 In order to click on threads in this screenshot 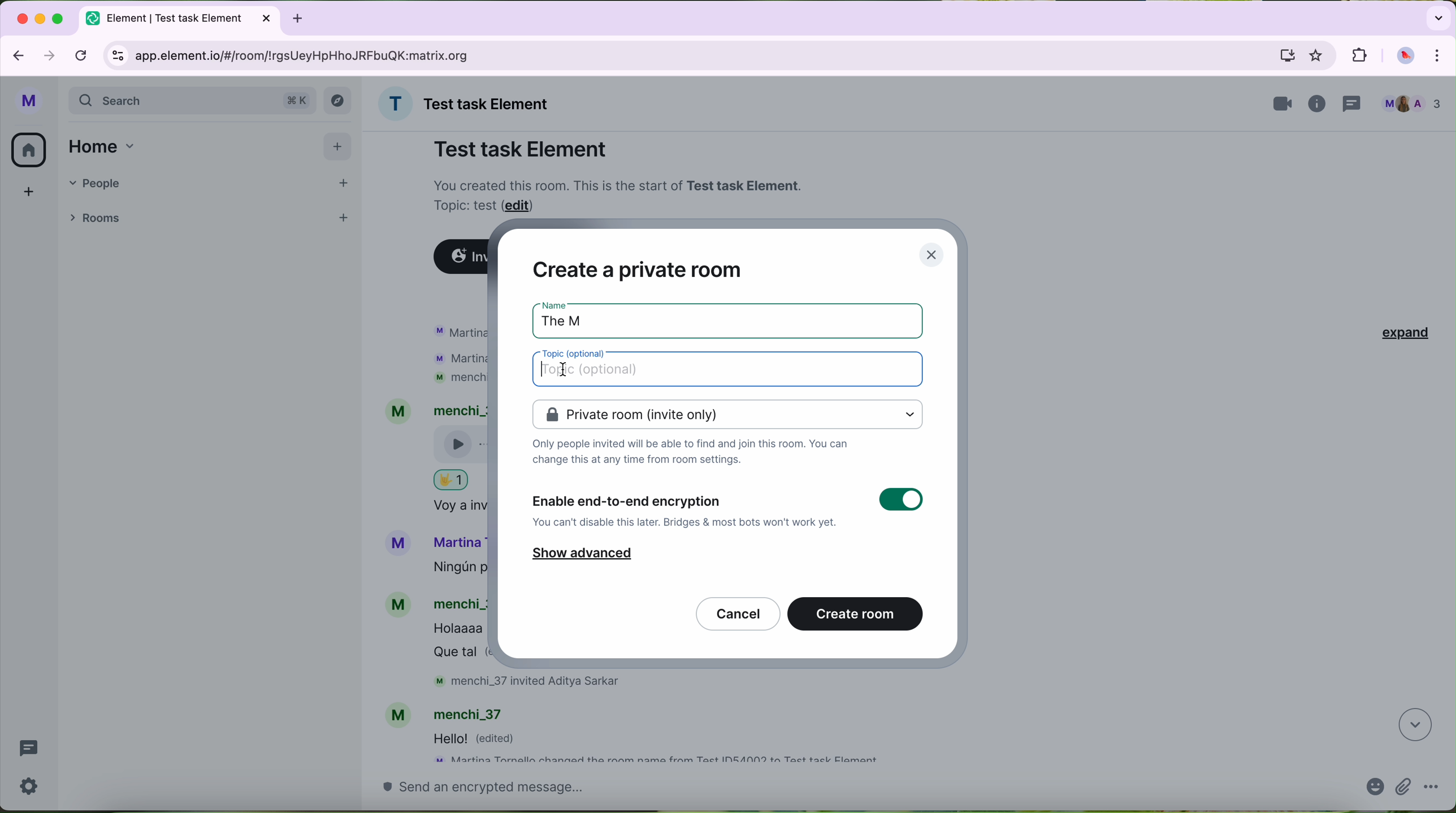, I will do `click(28, 750)`.